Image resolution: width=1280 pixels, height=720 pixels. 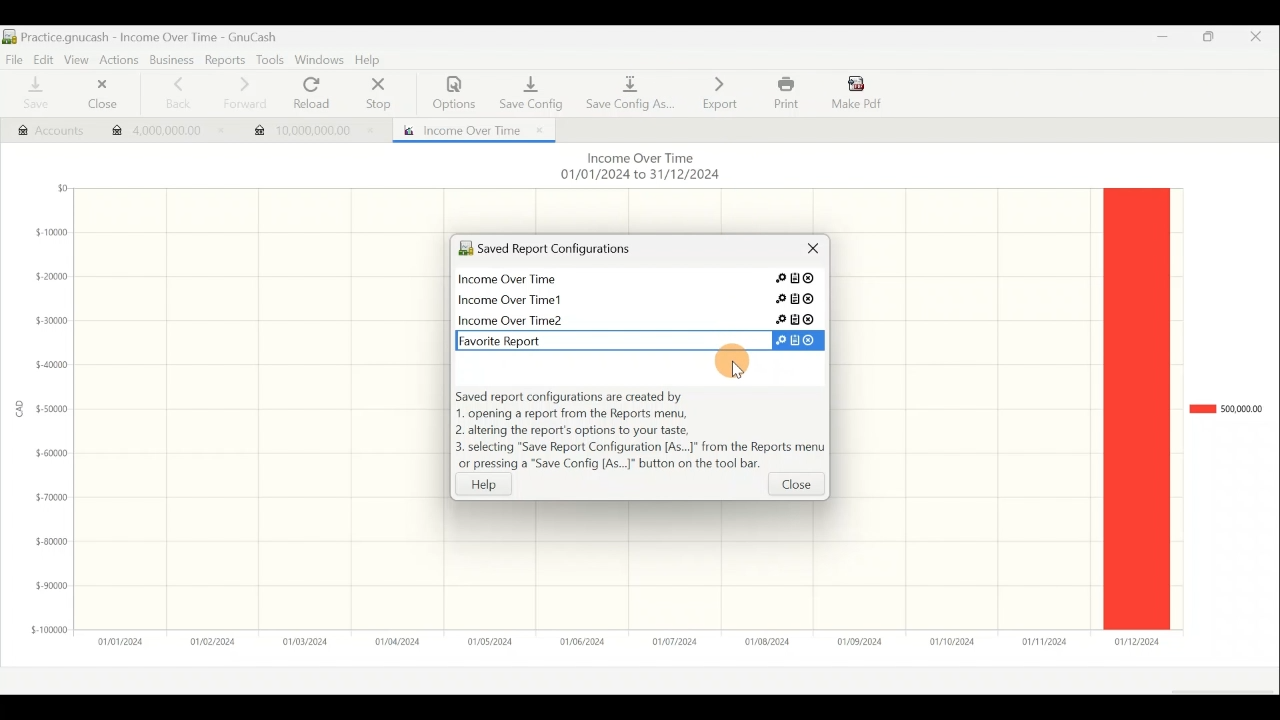 I want to click on Edit, so click(x=40, y=58).